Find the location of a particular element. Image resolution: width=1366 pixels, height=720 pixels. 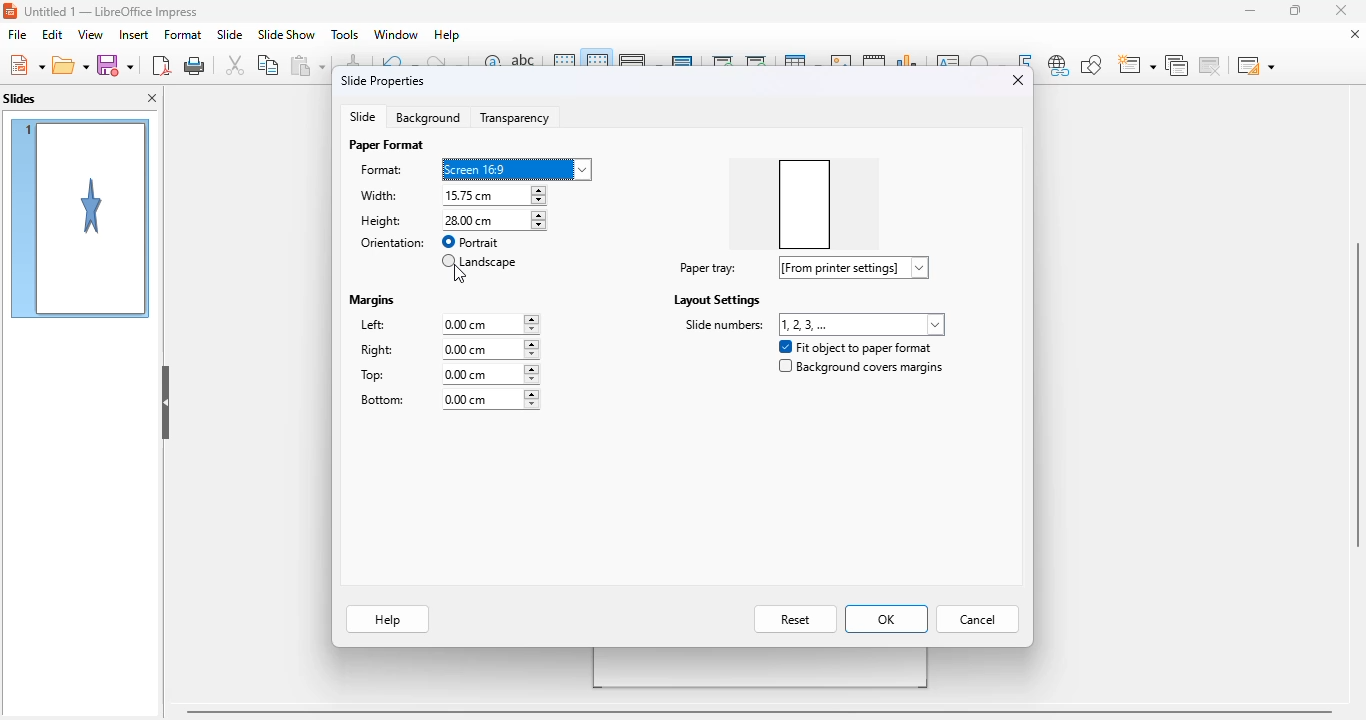

slide numbers: 1,2,3,... is located at coordinates (862, 323).